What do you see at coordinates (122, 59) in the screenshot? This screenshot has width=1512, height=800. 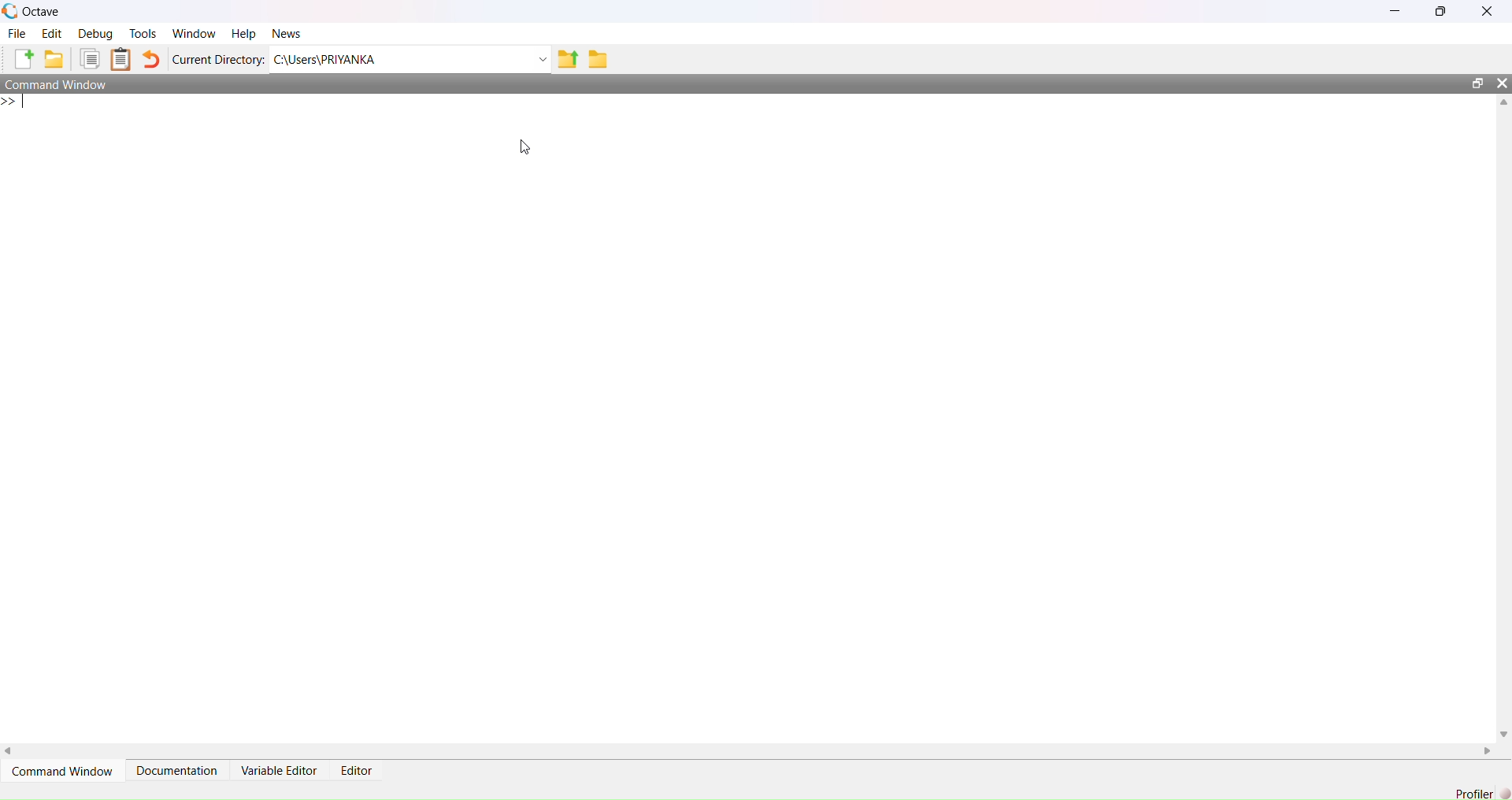 I see `Paste` at bounding box center [122, 59].